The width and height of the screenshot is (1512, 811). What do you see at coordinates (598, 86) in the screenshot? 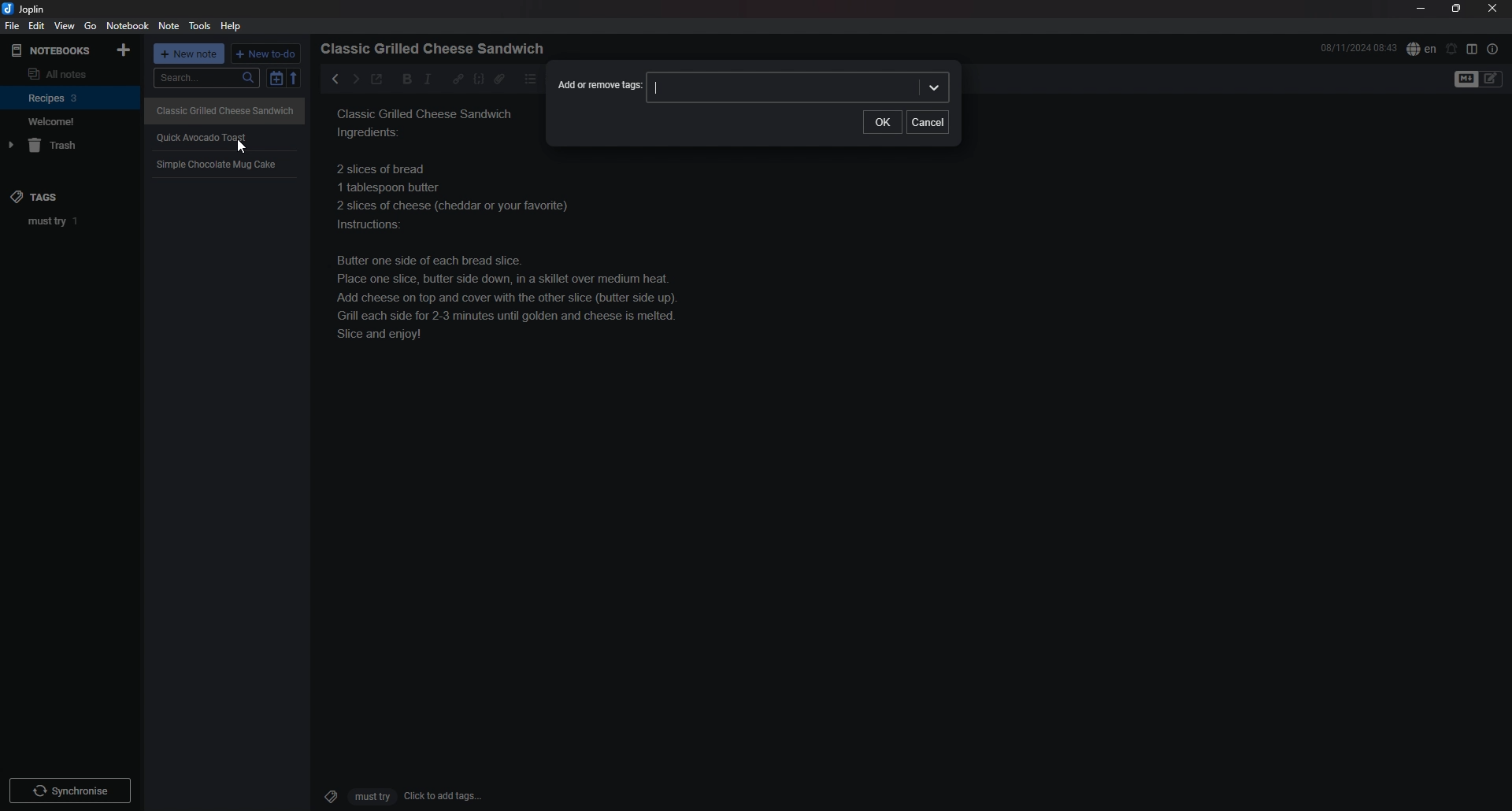
I see `add or remove tags` at bounding box center [598, 86].